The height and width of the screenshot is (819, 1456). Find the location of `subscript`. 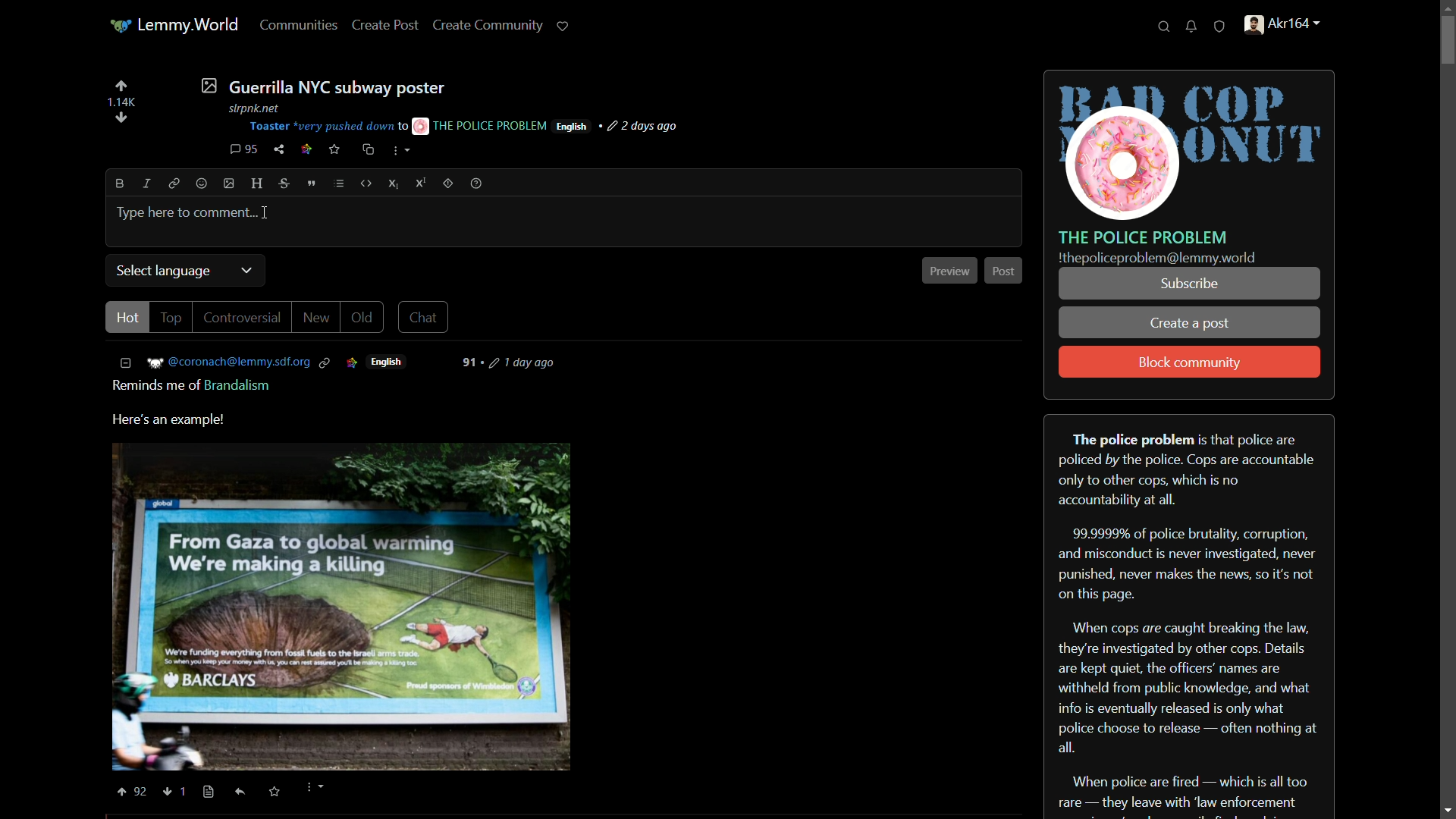

subscript is located at coordinates (395, 184).